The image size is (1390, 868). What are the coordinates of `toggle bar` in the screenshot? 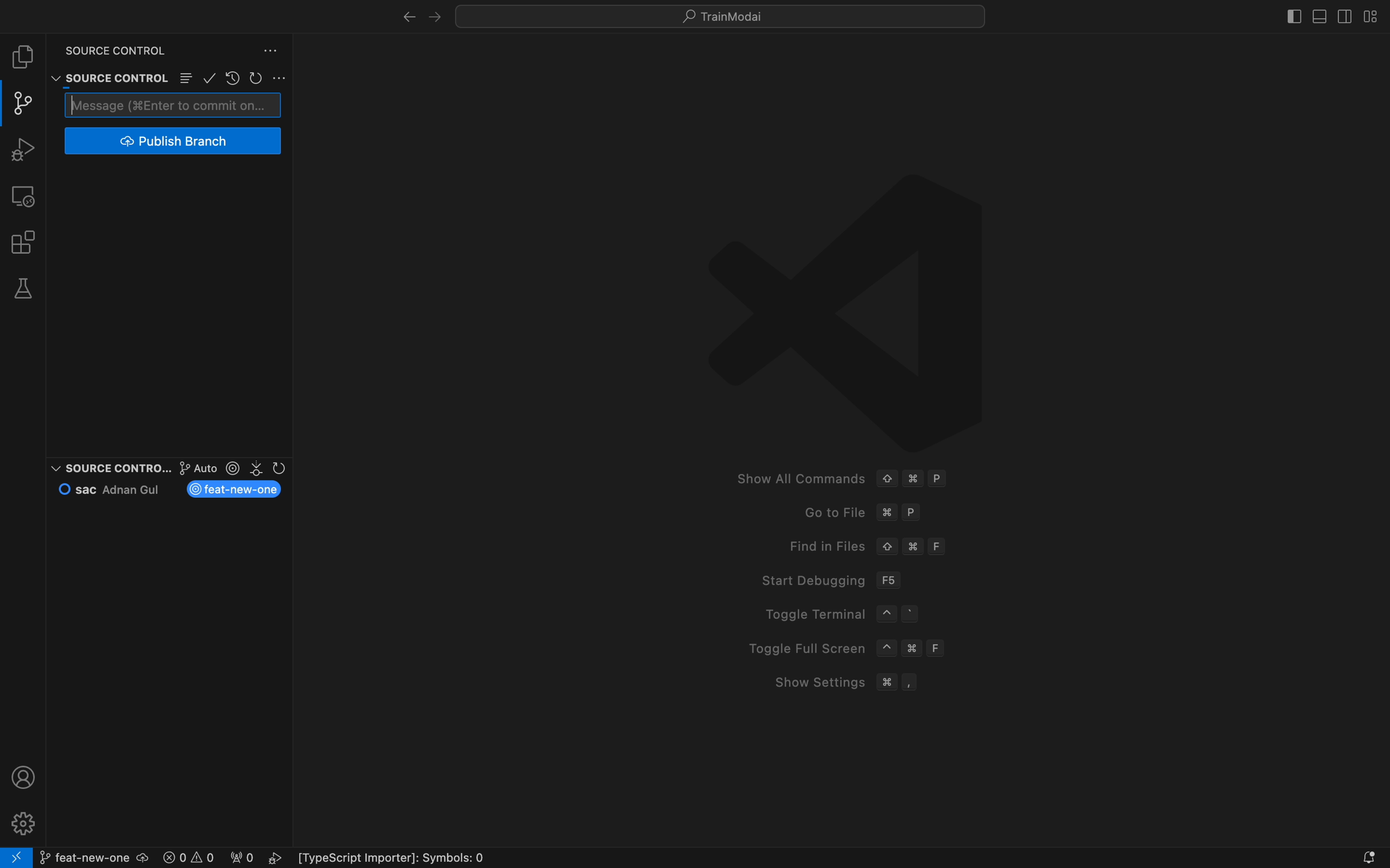 It's located at (1289, 14).